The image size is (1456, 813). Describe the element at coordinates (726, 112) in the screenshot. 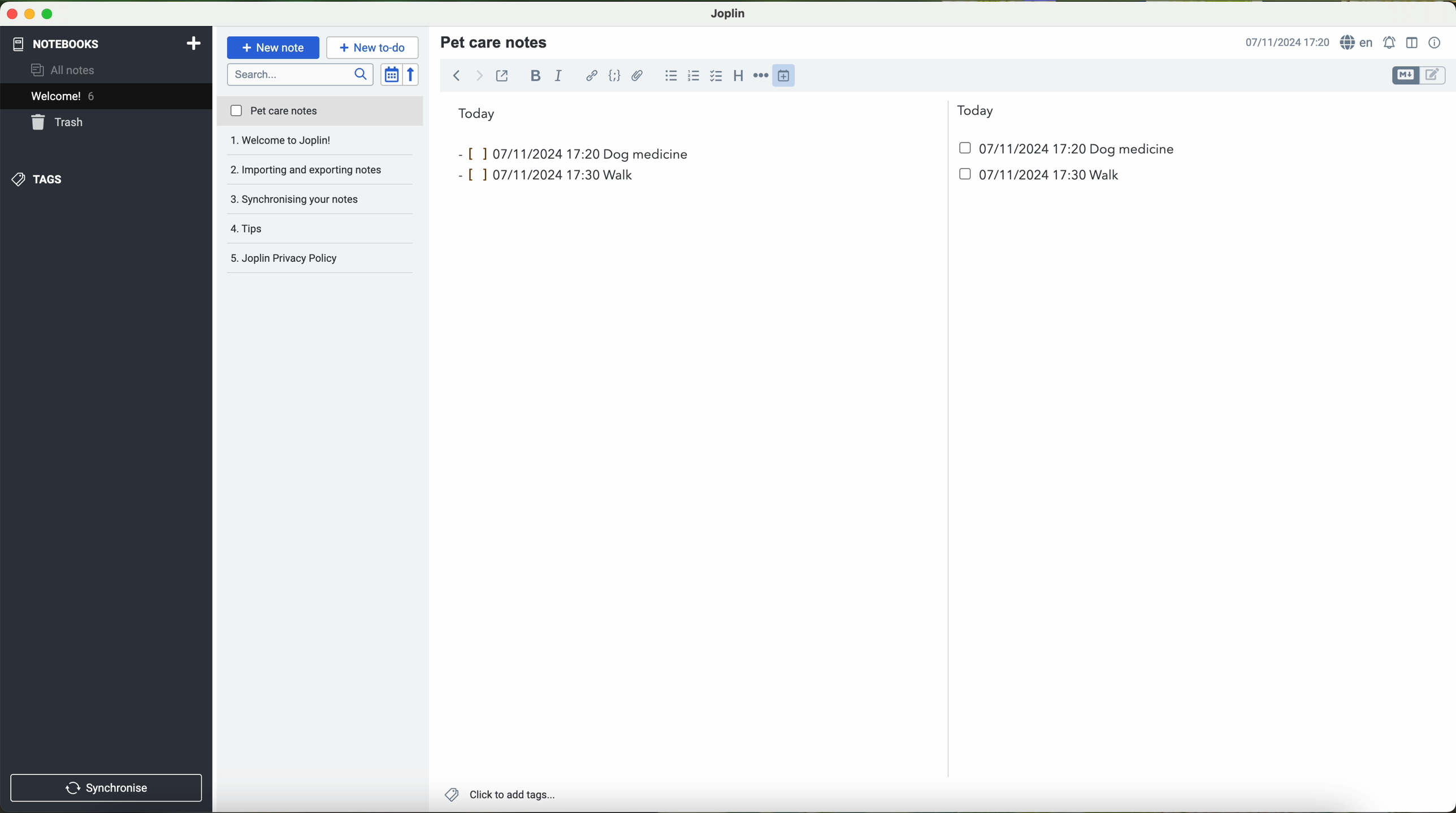

I see `today` at that location.